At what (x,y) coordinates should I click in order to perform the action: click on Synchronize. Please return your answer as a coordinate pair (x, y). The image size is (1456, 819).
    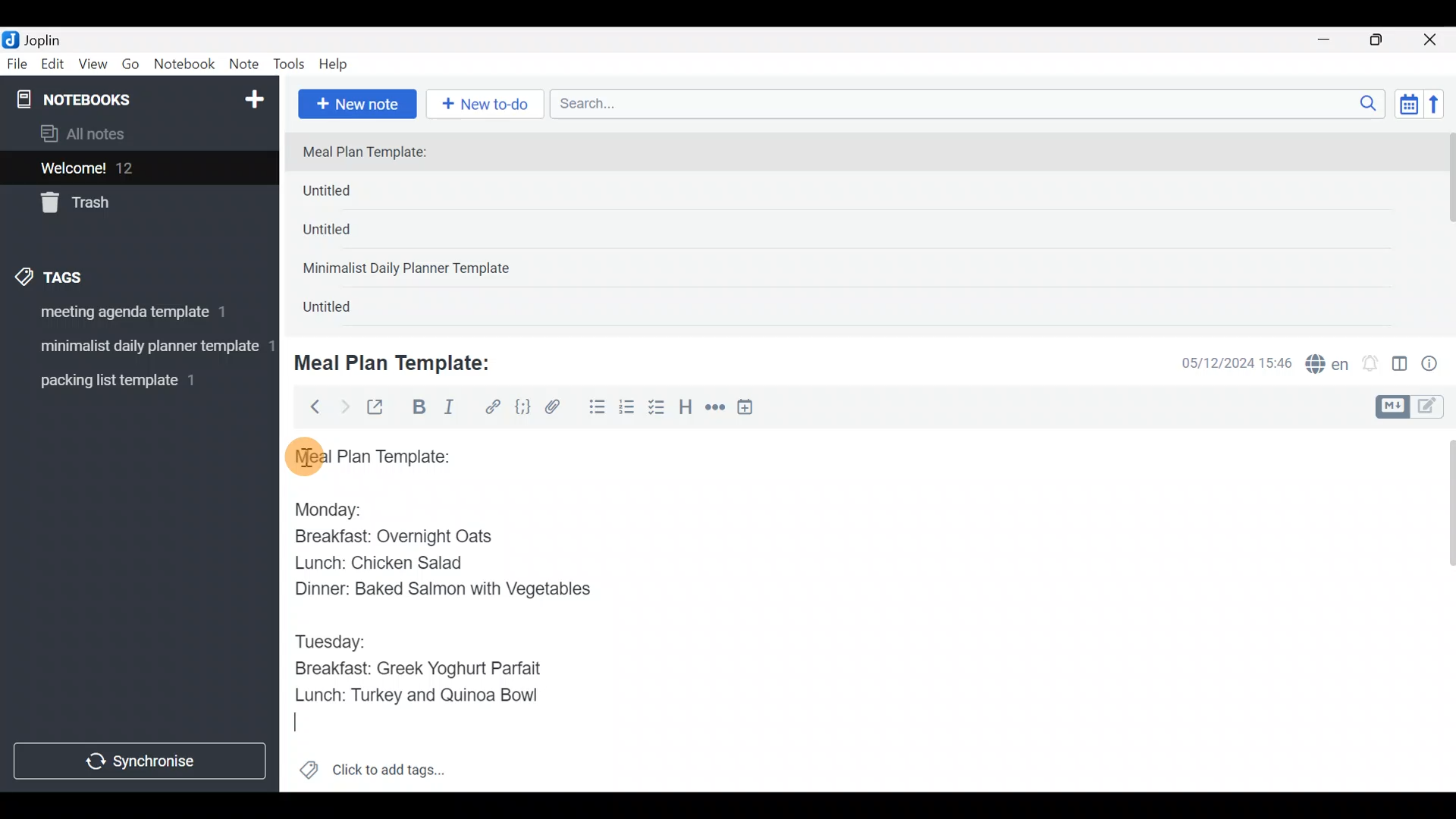
    Looking at the image, I should click on (142, 761).